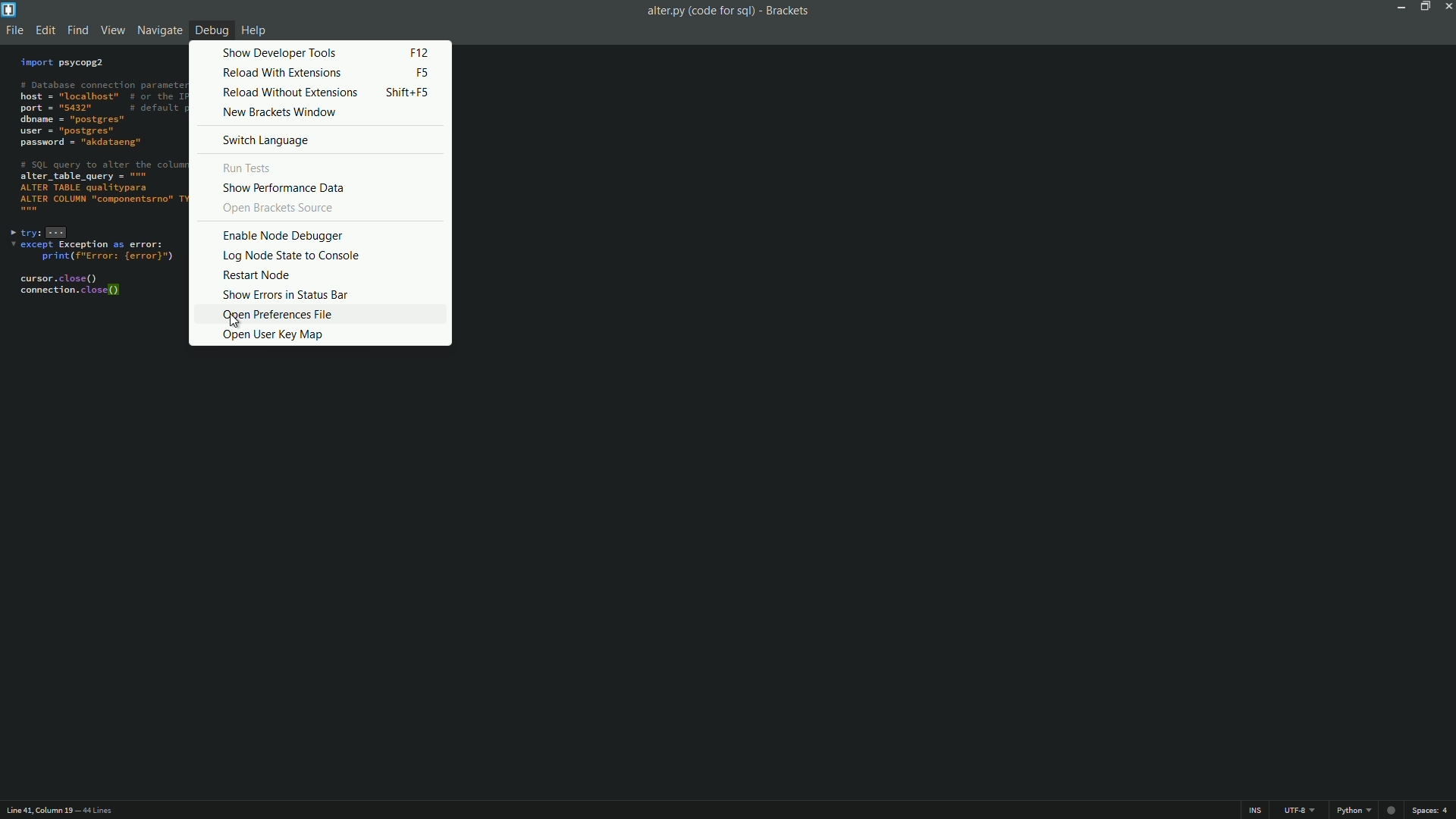 Image resolution: width=1456 pixels, height=819 pixels. Describe the element at coordinates (1423, 6) in the screenshot. I see `Maximize` at that location.